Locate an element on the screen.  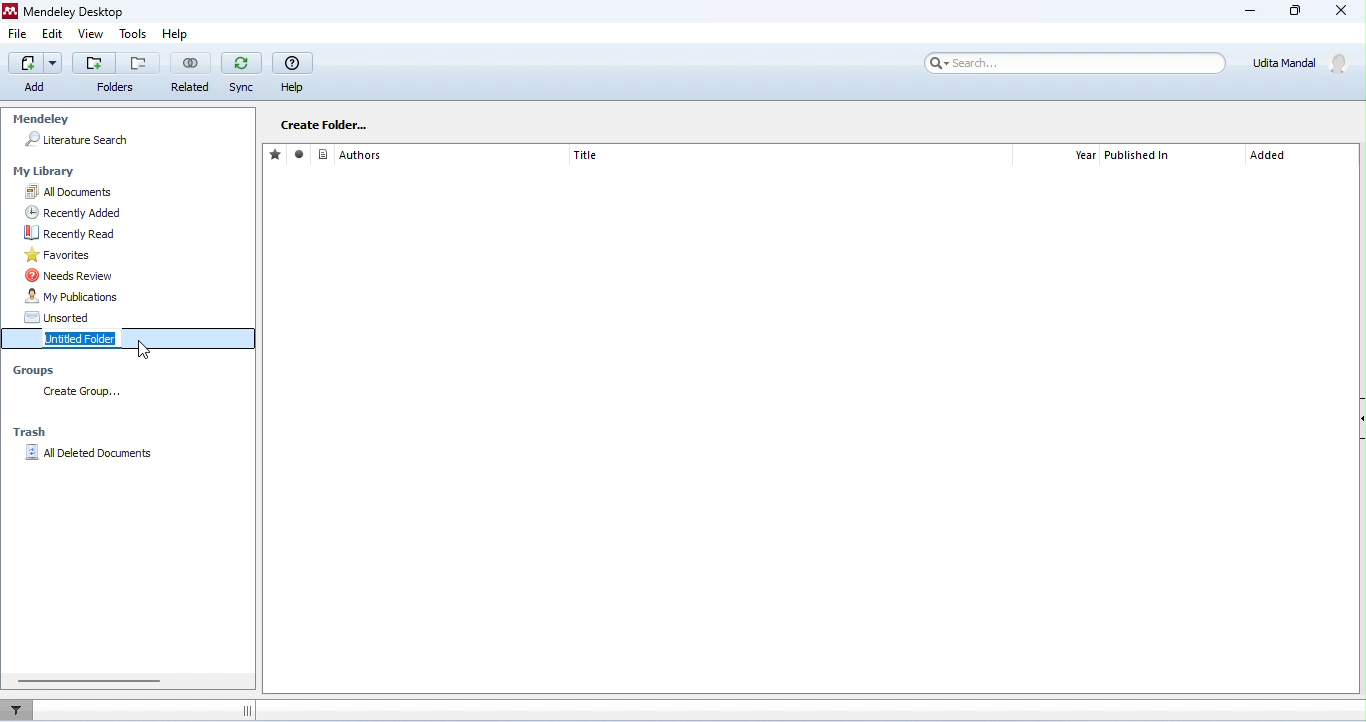
help is located at coordinates (293, 72).